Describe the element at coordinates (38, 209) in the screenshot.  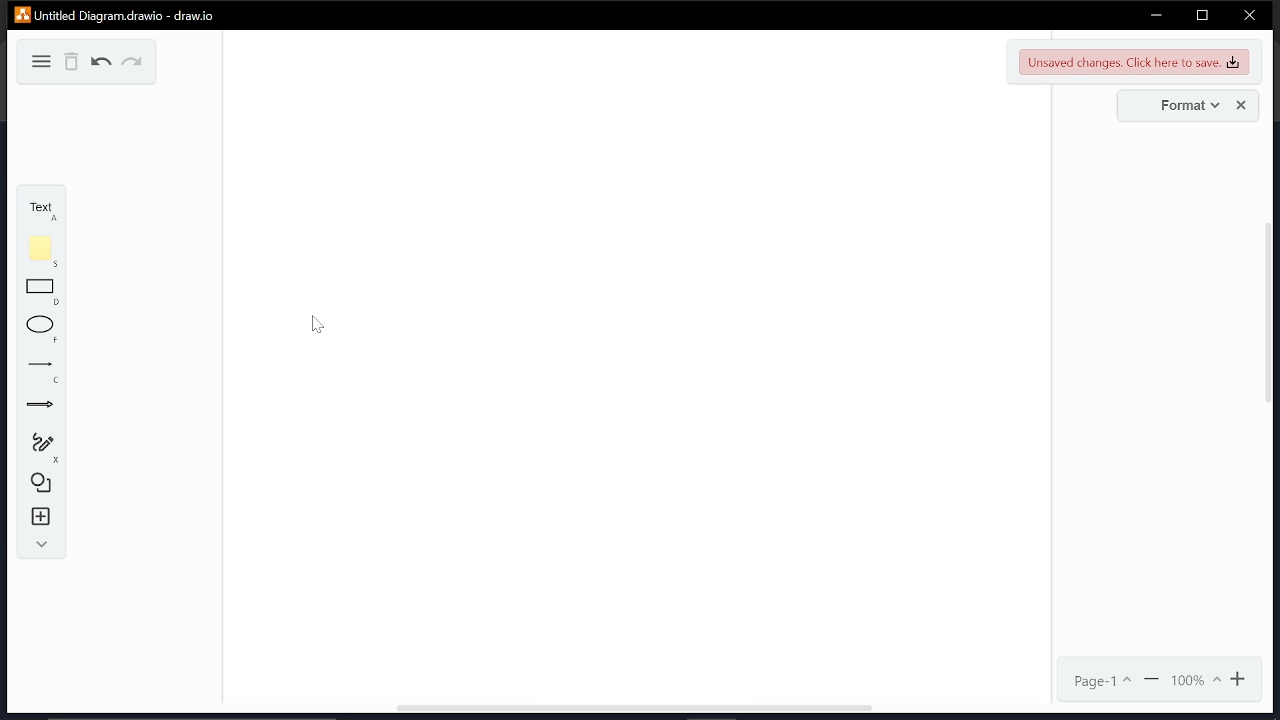
I see `text` at that location.